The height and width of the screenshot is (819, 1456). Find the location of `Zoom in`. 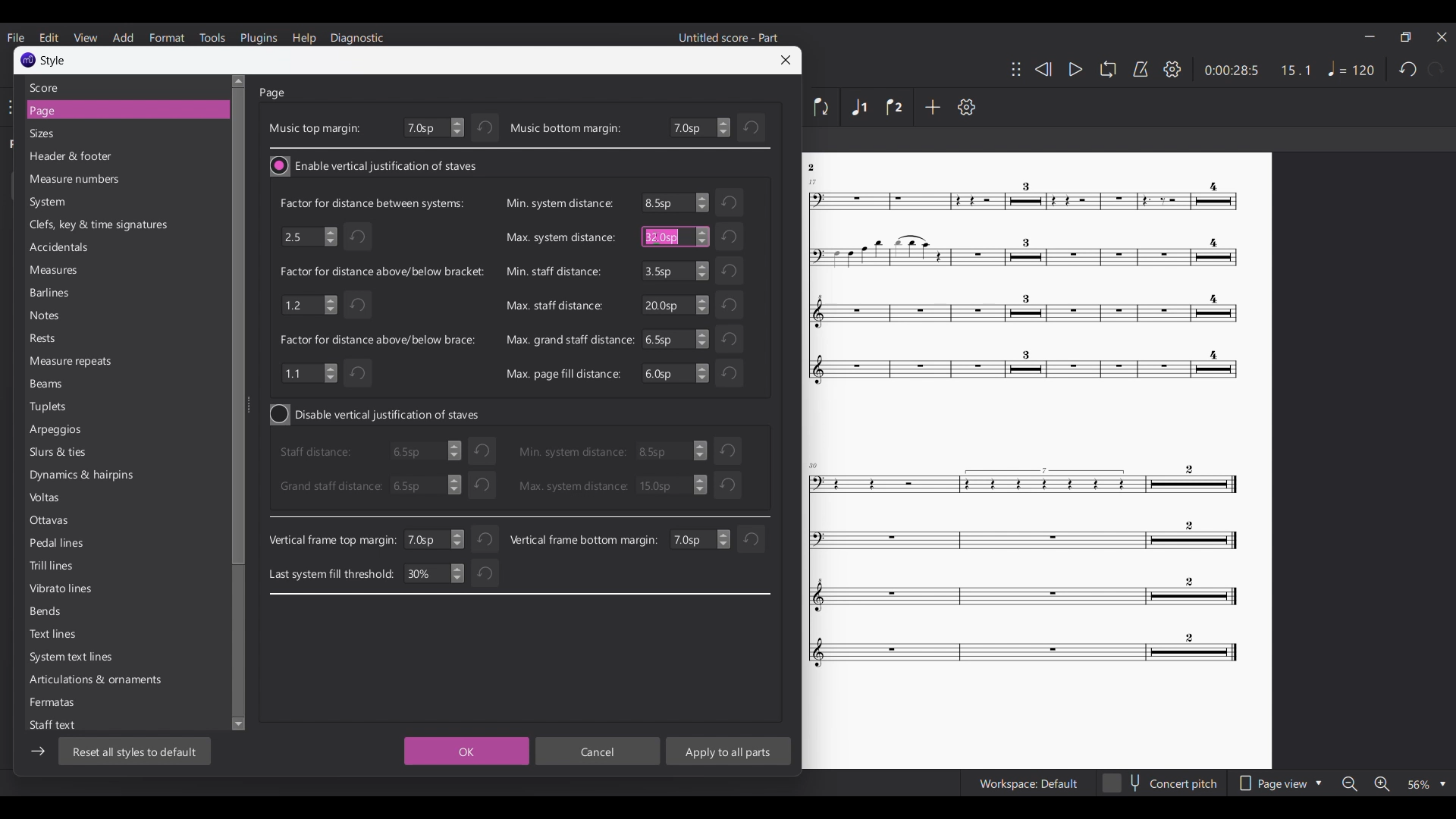

Zoom in is located at coordinates (1382, 784).